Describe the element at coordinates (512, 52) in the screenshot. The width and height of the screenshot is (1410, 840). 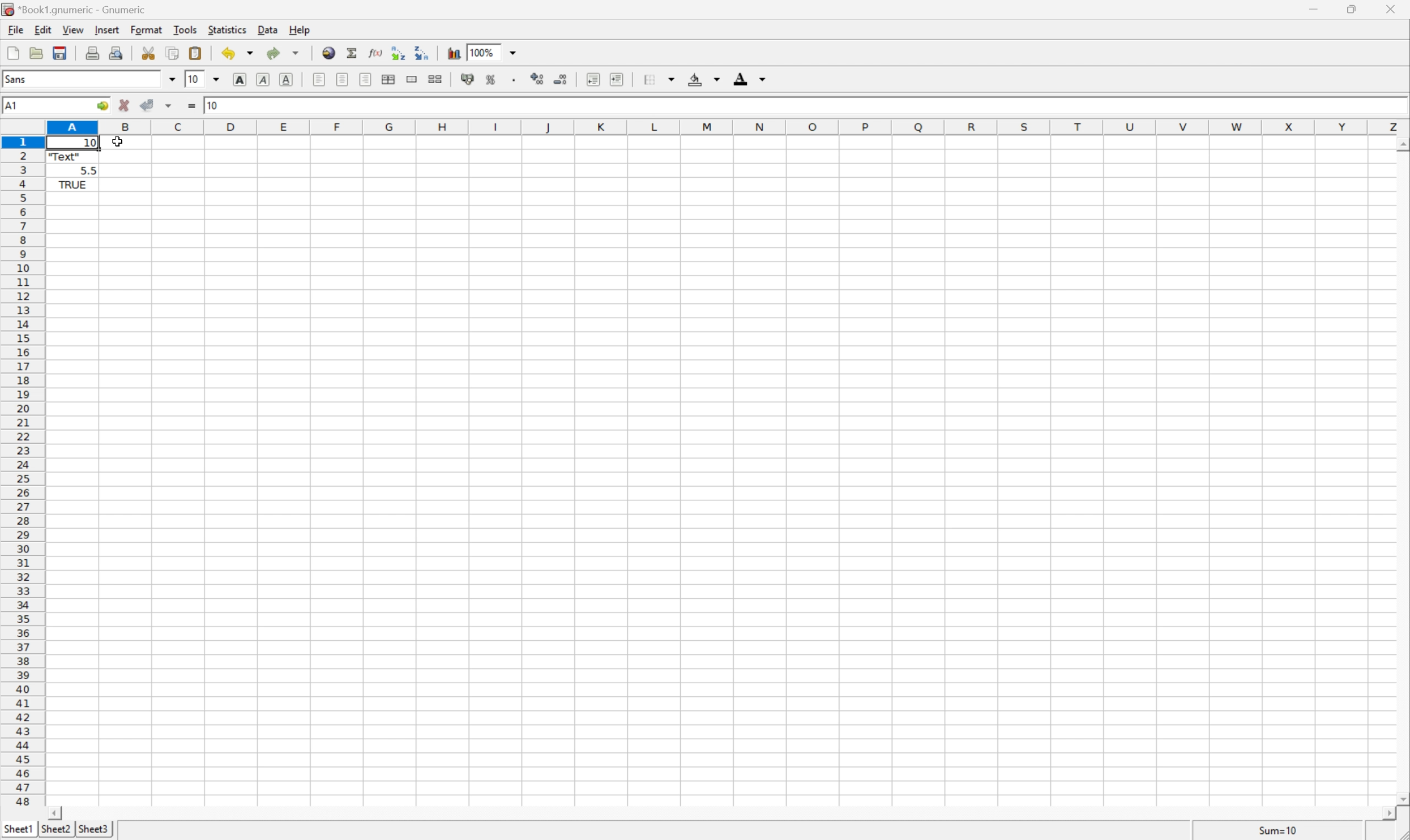
I see `Drop Down` at that location.